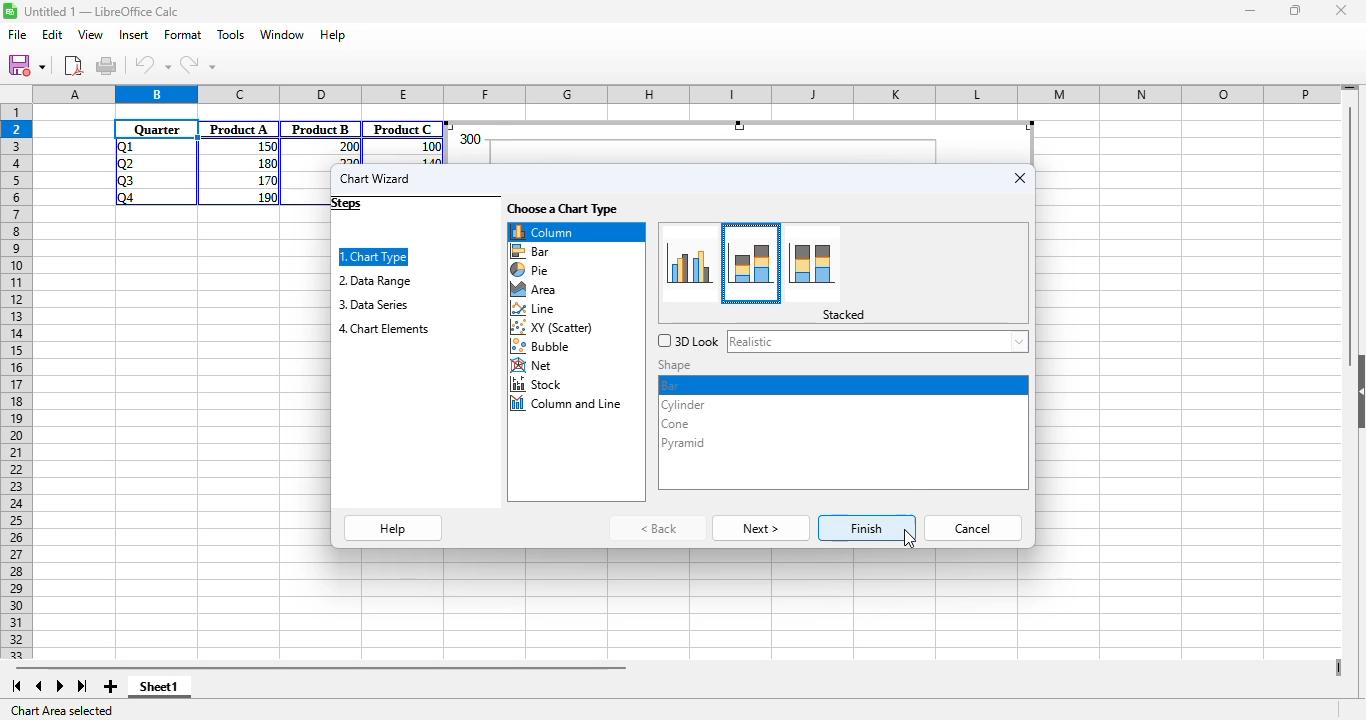 The image size is (1366, 720). Describe the element at coordinates (26, 65) in the screenshot. I see `save` at that location.